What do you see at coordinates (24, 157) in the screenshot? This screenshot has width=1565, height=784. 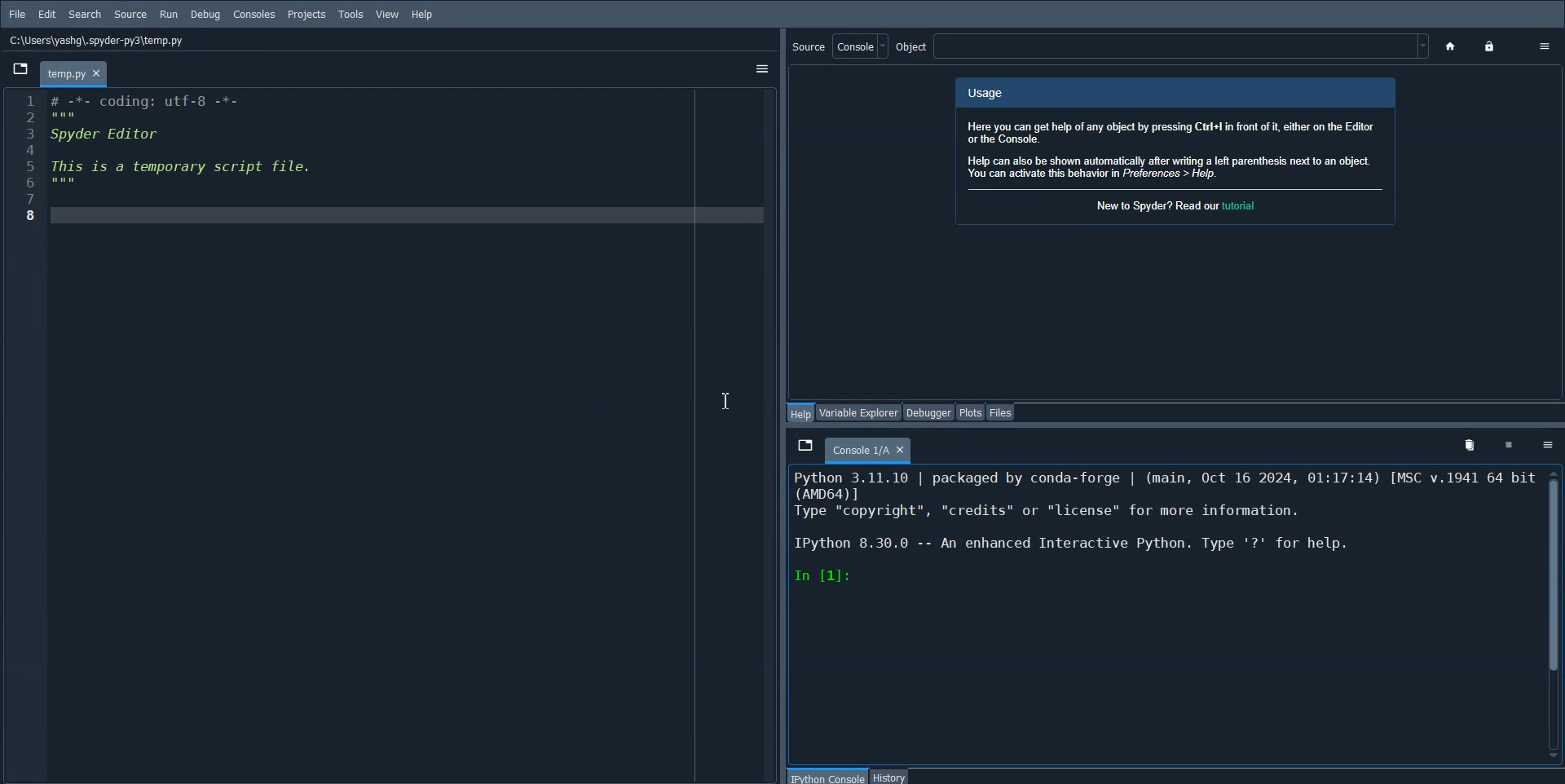 I see `Line number` at bounding box center [24, 157].